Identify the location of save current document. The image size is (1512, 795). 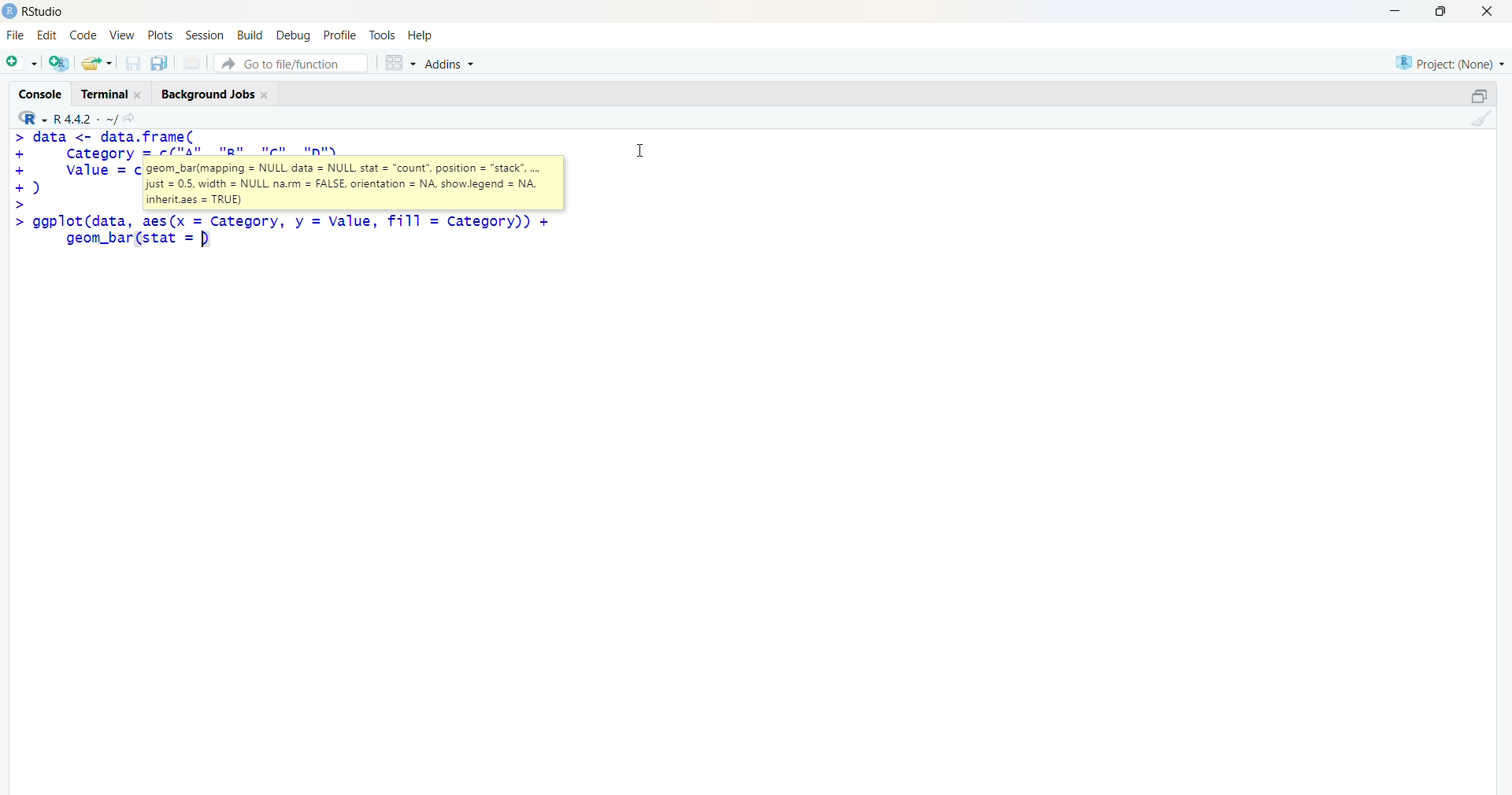
(132, 63).